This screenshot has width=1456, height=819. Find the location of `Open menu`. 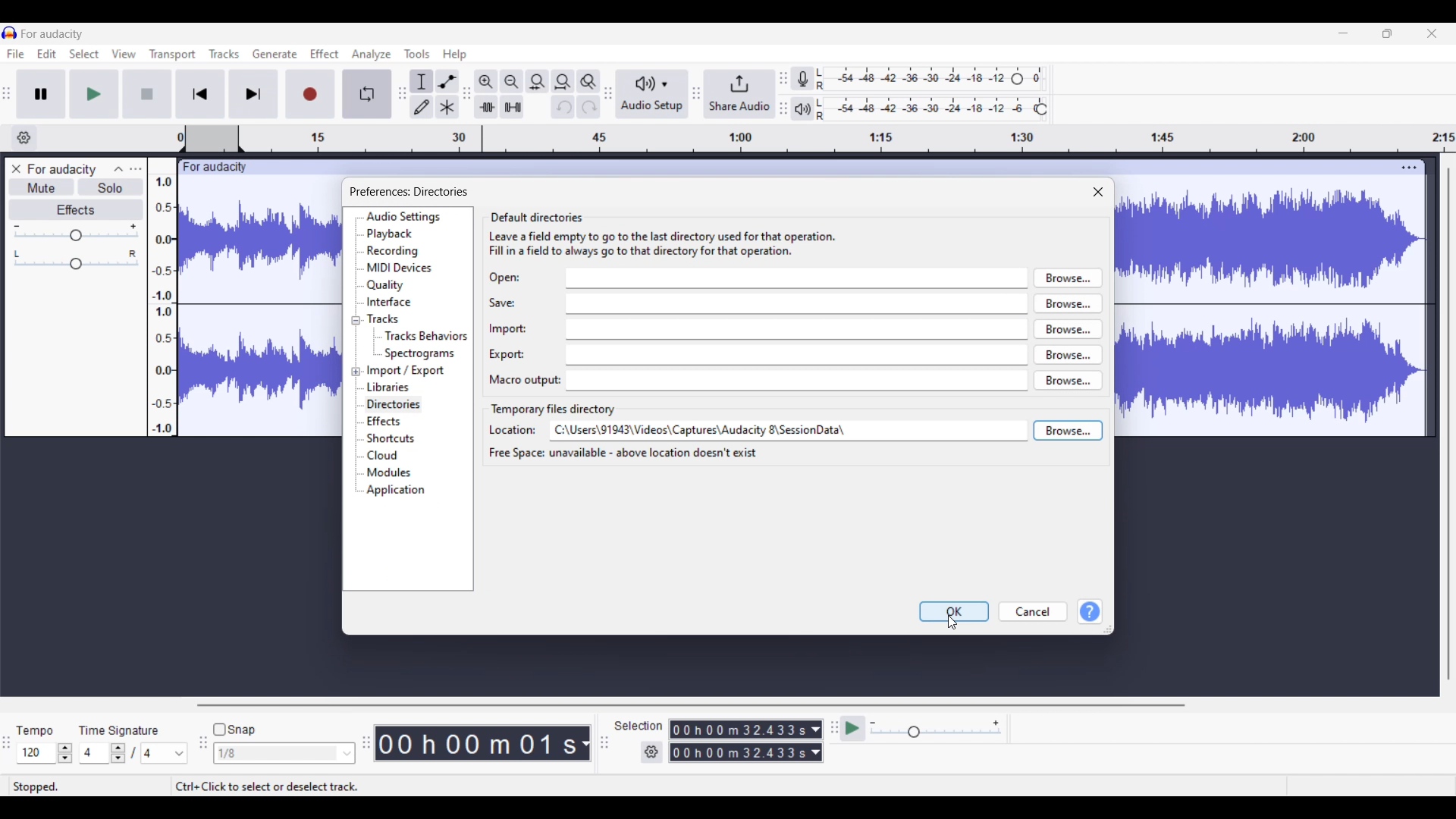

Open menu is located at coordinates (136, 169).